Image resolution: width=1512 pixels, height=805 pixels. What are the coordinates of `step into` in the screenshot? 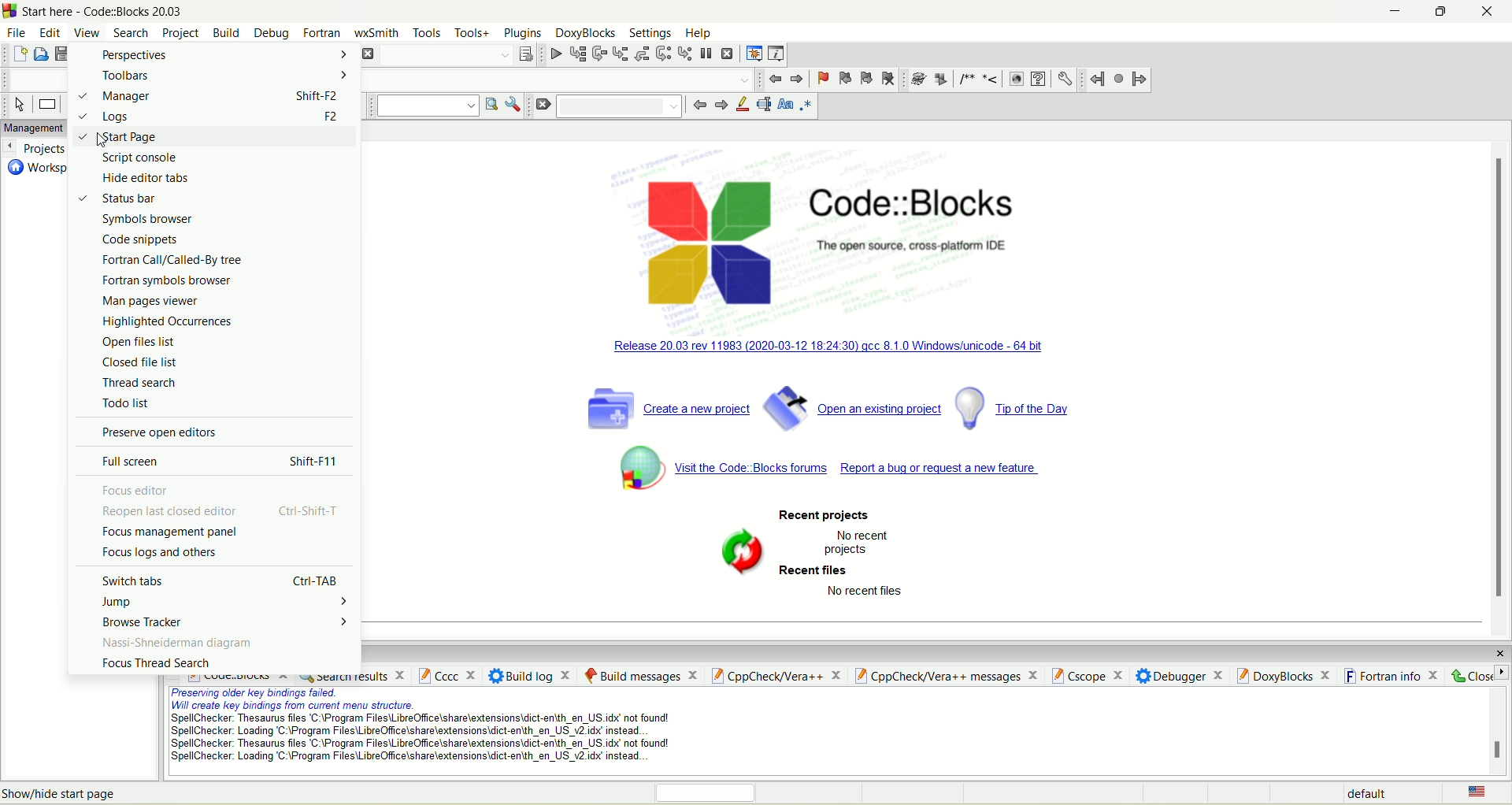 It's located at (620, 54).